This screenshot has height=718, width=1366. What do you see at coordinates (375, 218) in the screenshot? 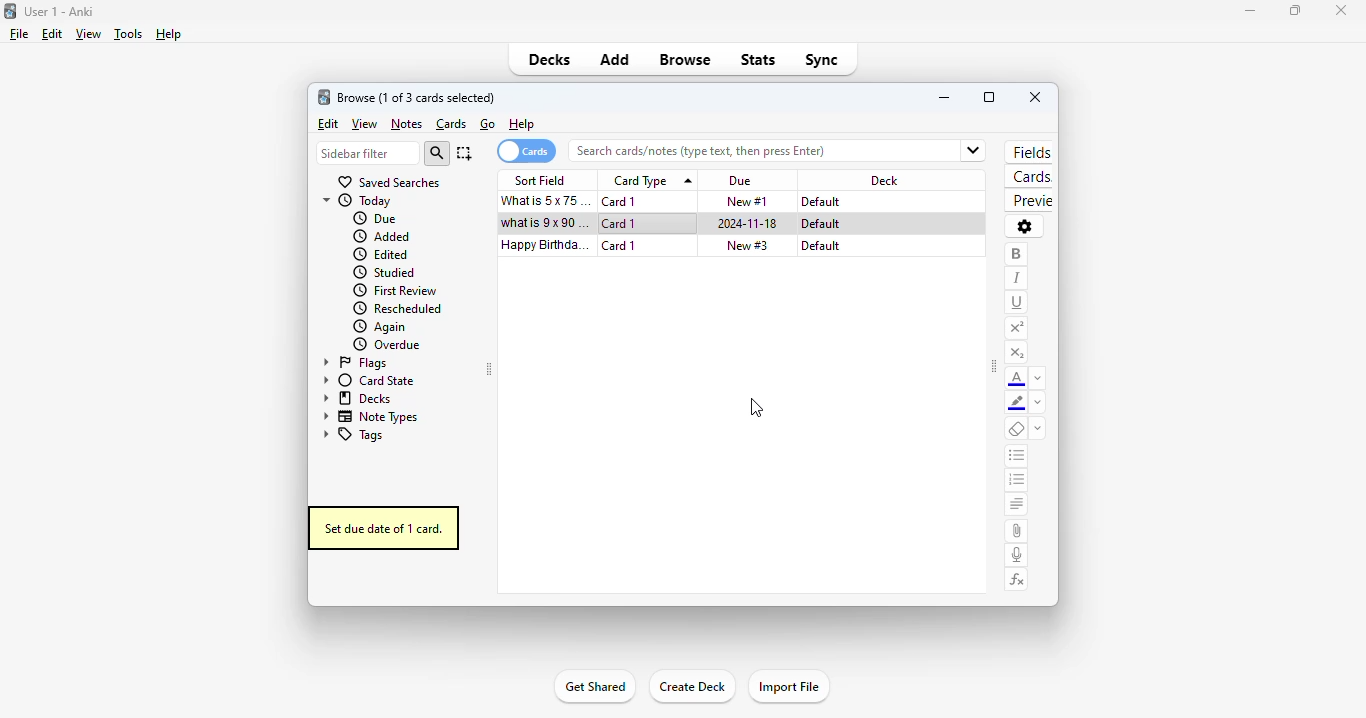
I see `due` at bounding box center [375, 218].